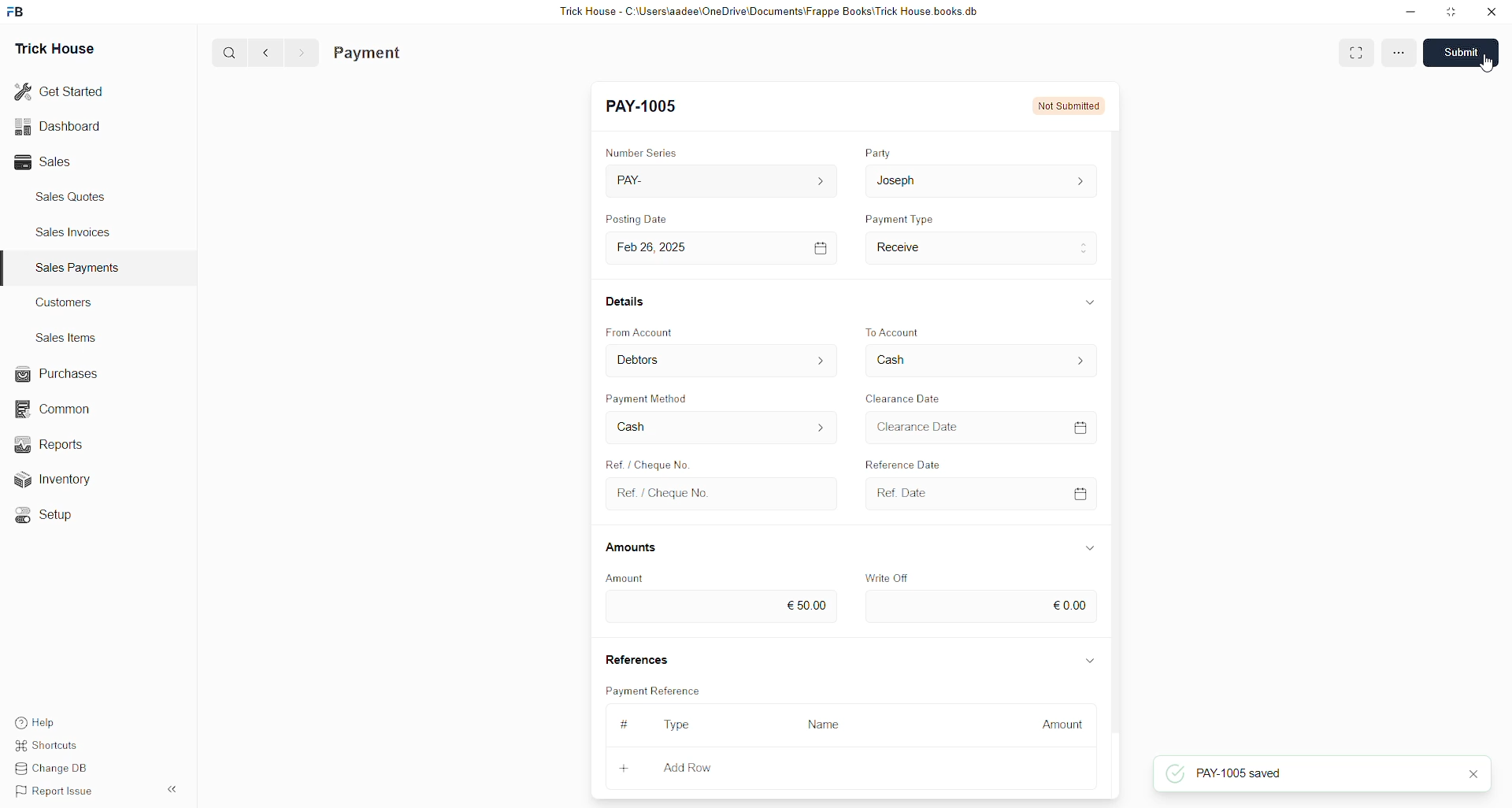 Image resolution: width=1512 pixels, height=808 pixels. I want to click on Sales Payments, so click(80, 268).